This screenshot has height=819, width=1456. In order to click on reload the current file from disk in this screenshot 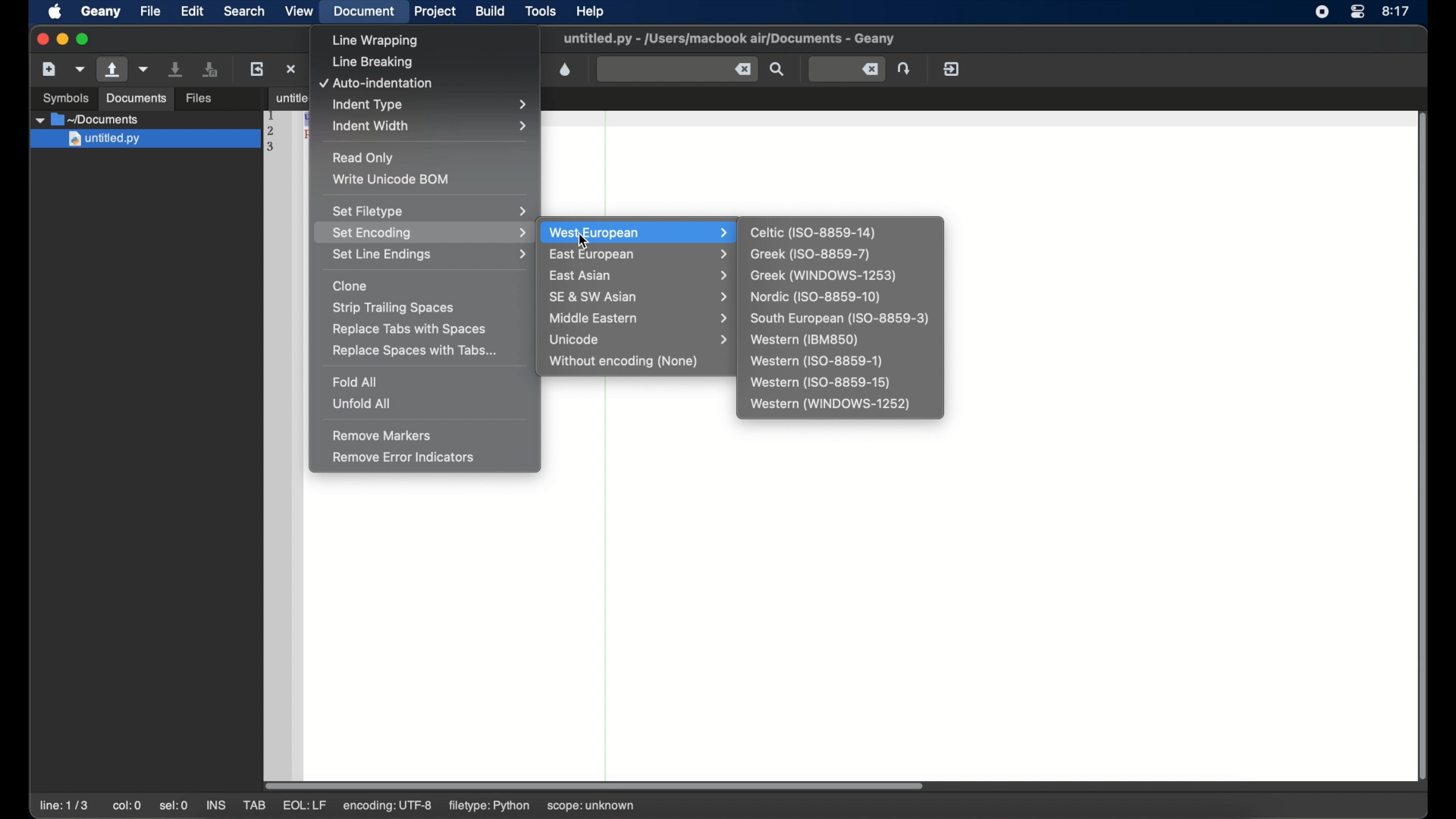, I will do `click(256, 68)`.